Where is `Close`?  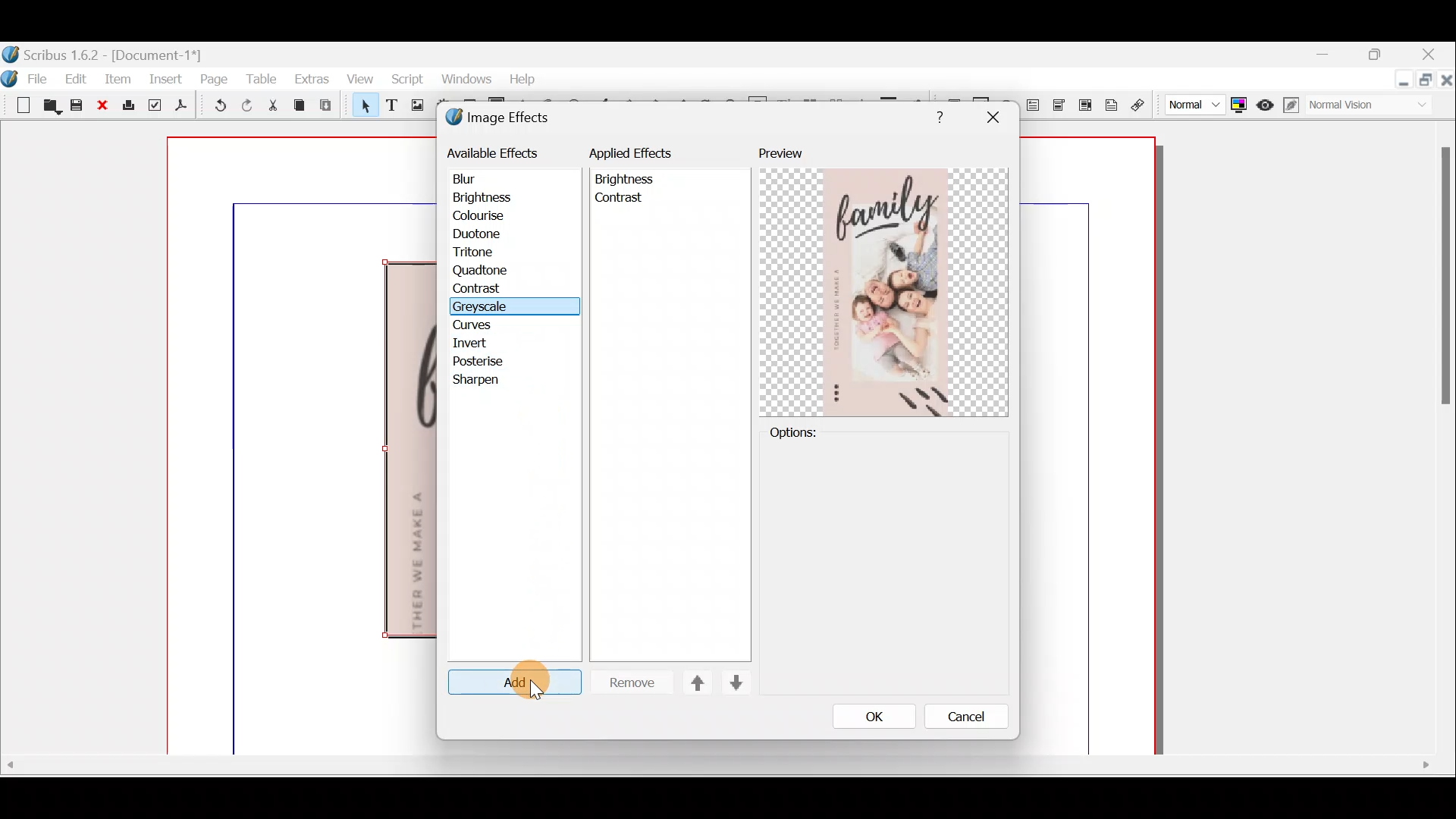
Close is located at coordinates (1433, 54).